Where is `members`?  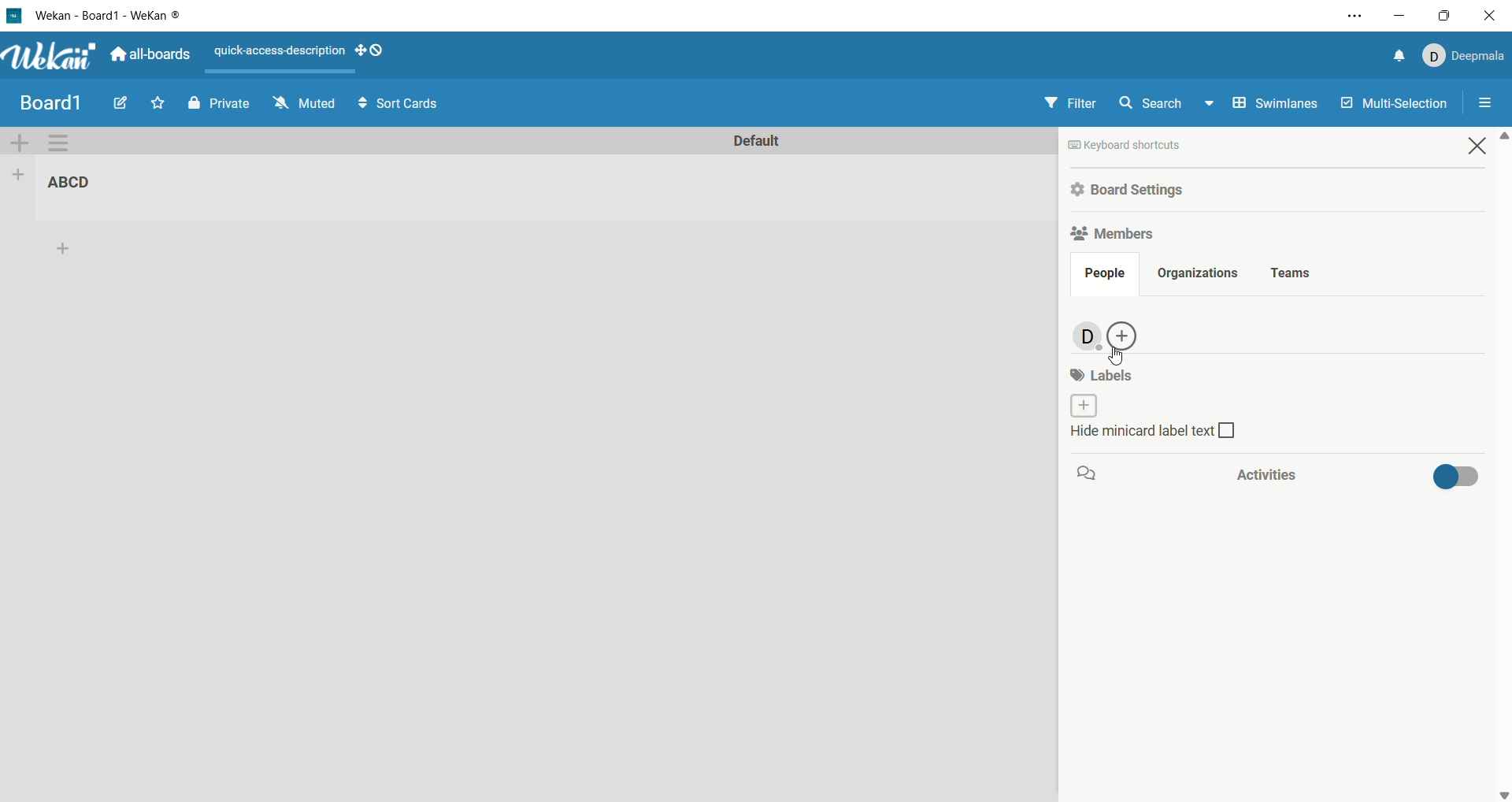 members is located at coordinates (1116, 232).